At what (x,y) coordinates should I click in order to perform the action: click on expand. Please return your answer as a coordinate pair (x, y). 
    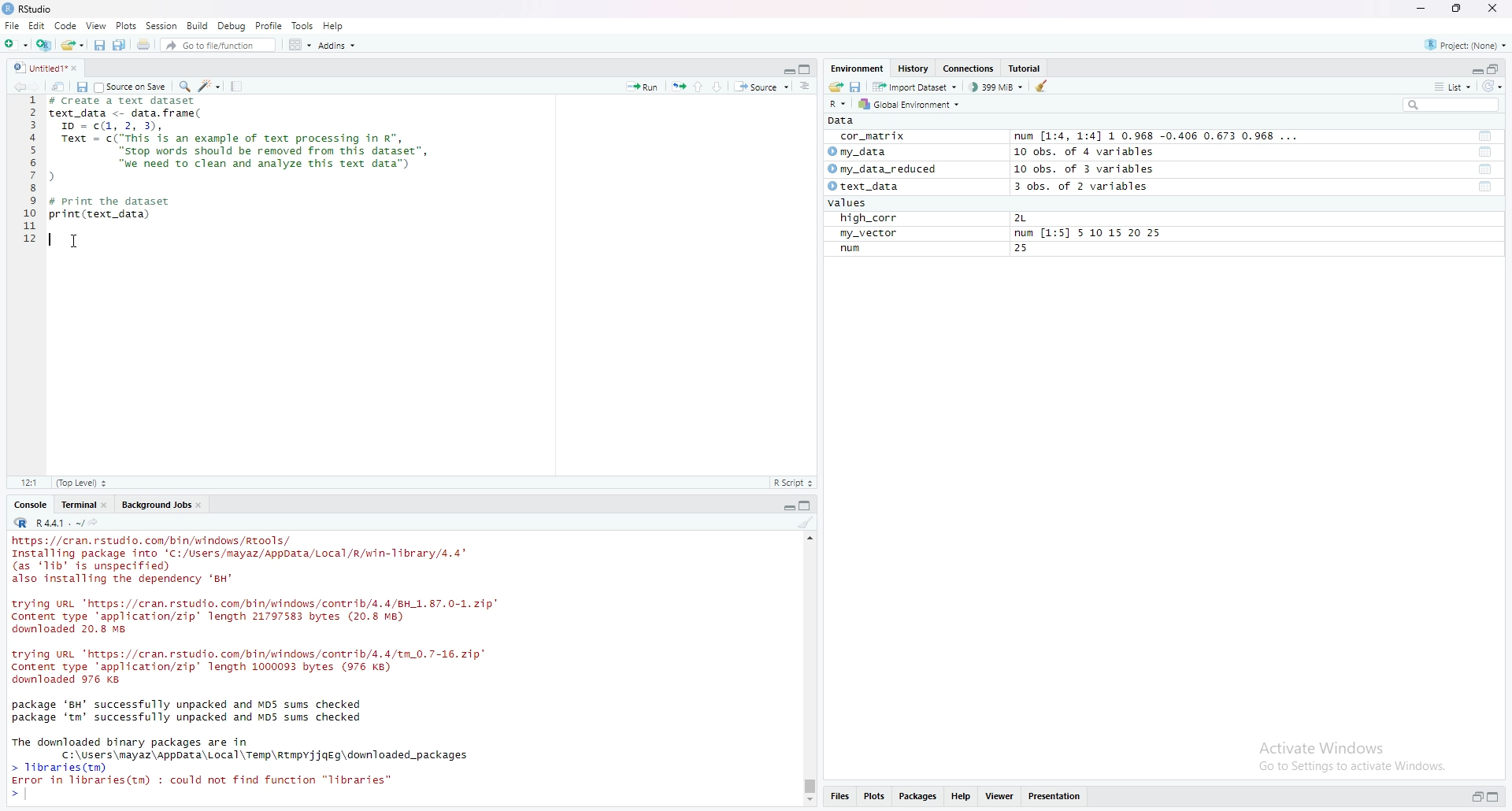
    Looking at the image, I should click on (1475, 69).